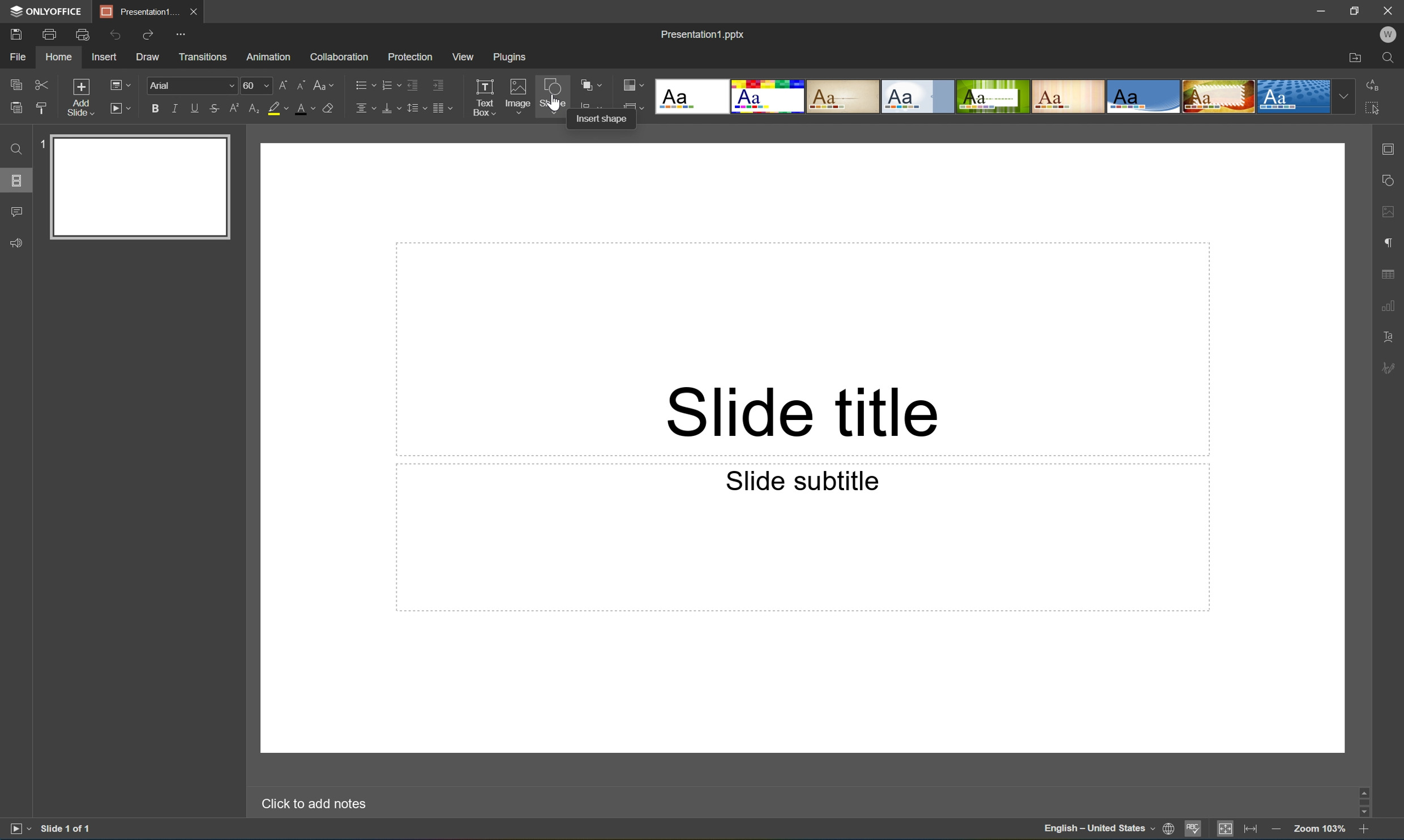 This screenshot has width=1404, height=840. What do you see at coordinates (440, 83) in the screenshot?
I see `Increase indent` at bounding box center [440, 83].